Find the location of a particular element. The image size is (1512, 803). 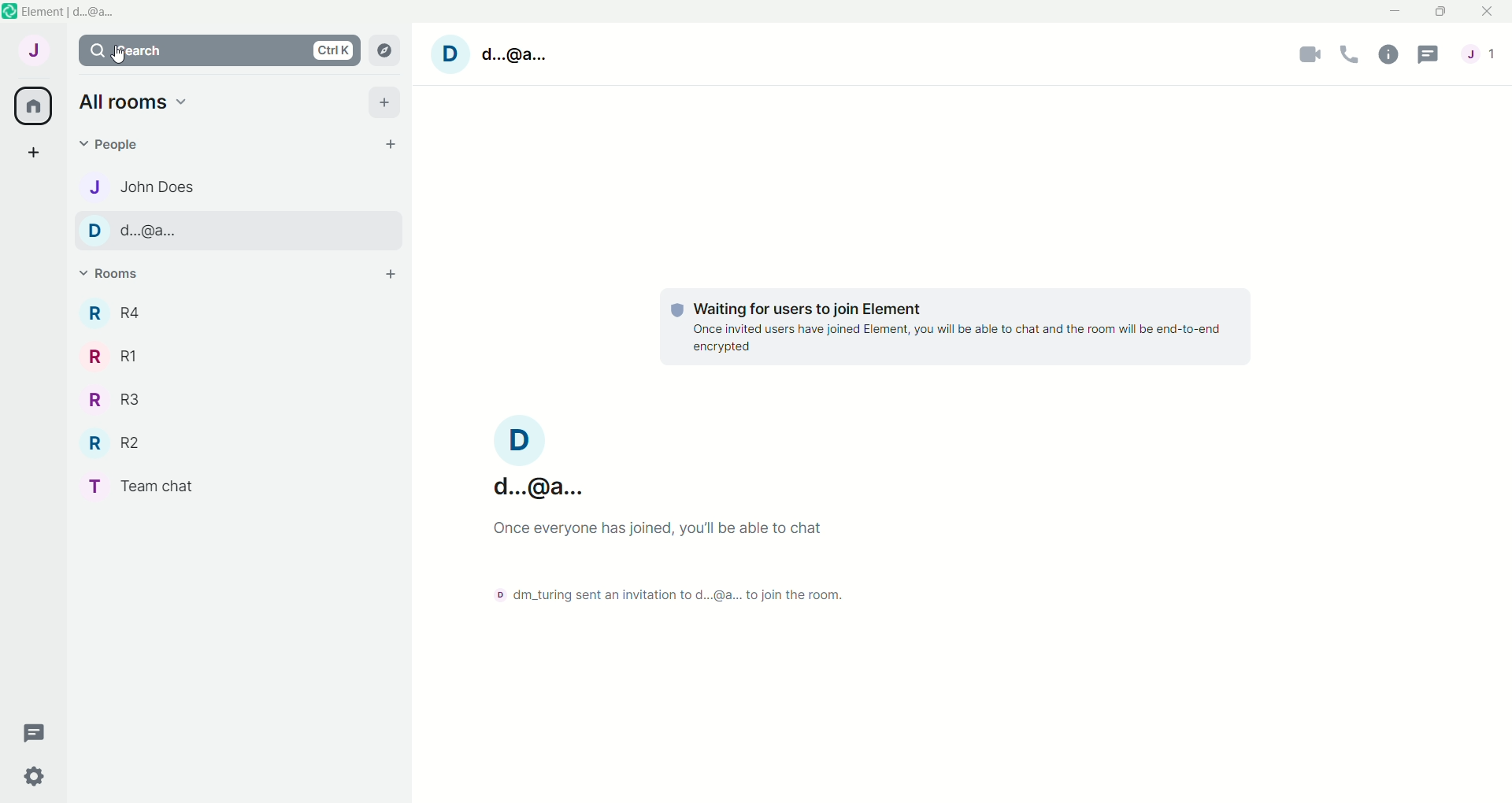

cursor is located at coordinates (120, 64).